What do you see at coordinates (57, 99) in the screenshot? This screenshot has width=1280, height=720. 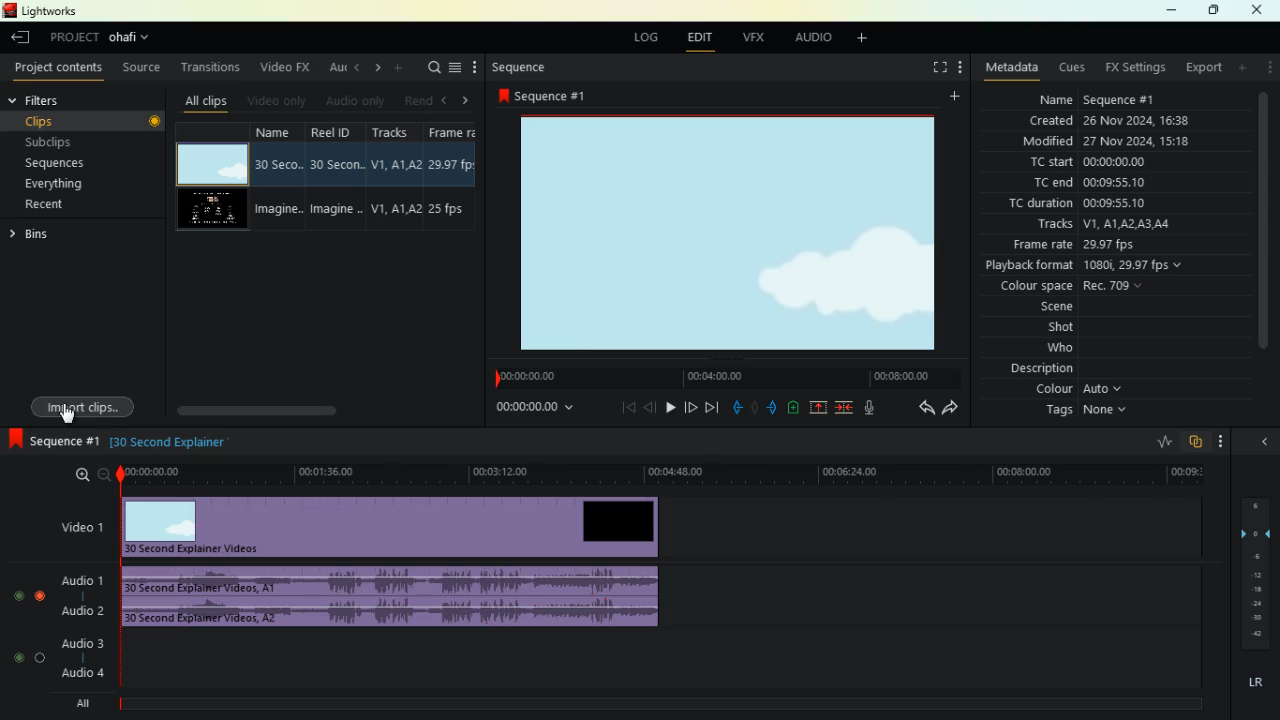 I see `filters` at bounding box center [57, 99].